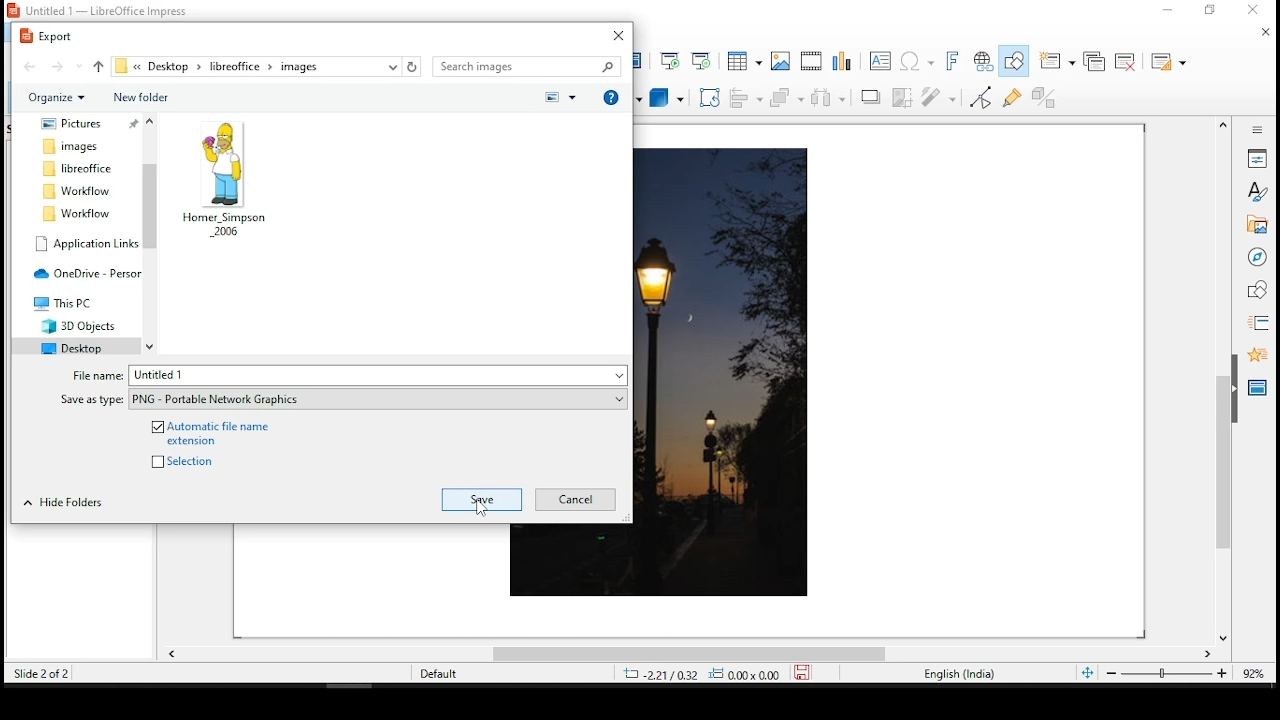 The image size is (1280, 720). I want to click on close window, so click(618, 34).